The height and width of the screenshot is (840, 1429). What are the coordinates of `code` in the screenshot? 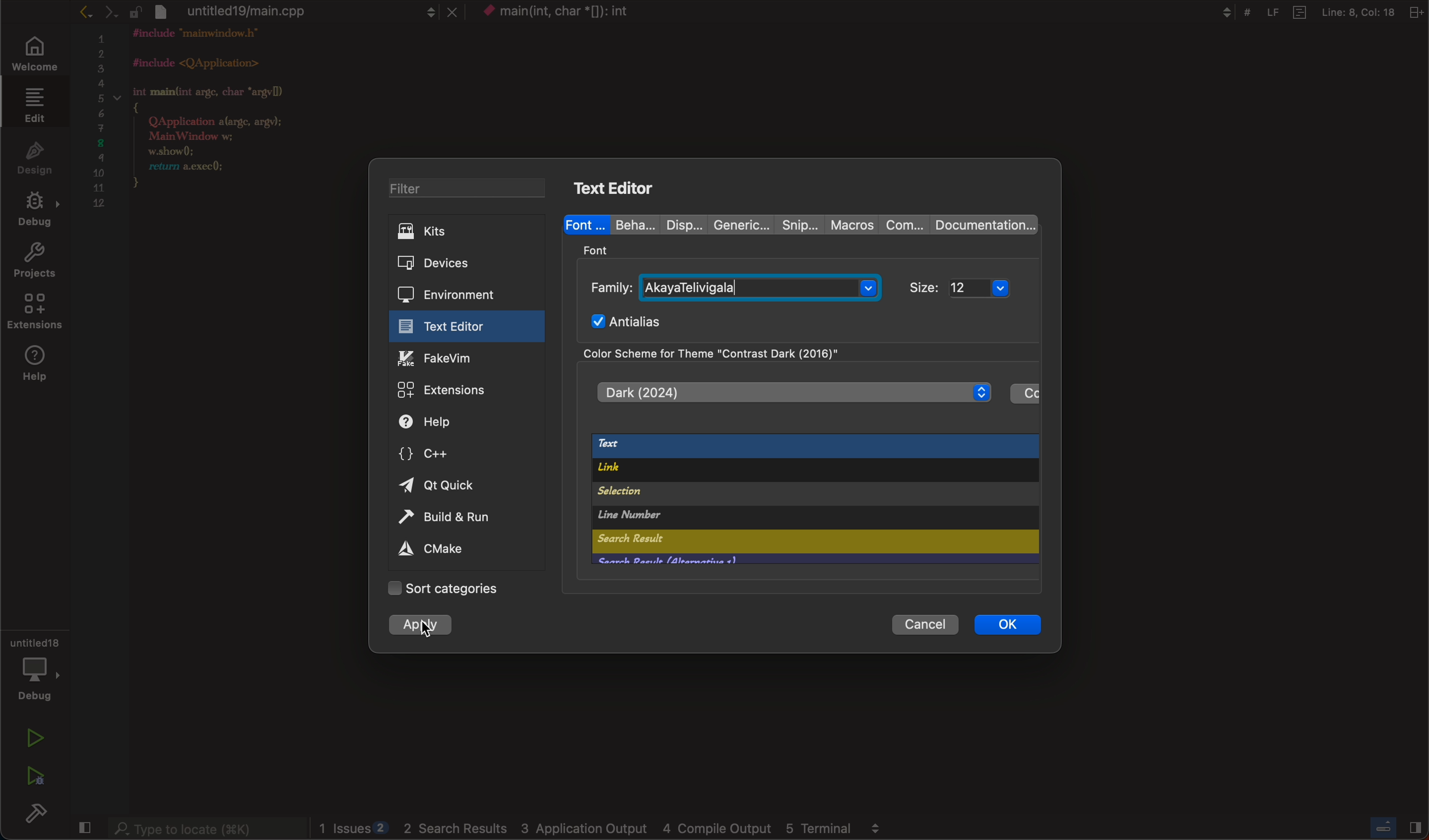 It's located at (226, 122).